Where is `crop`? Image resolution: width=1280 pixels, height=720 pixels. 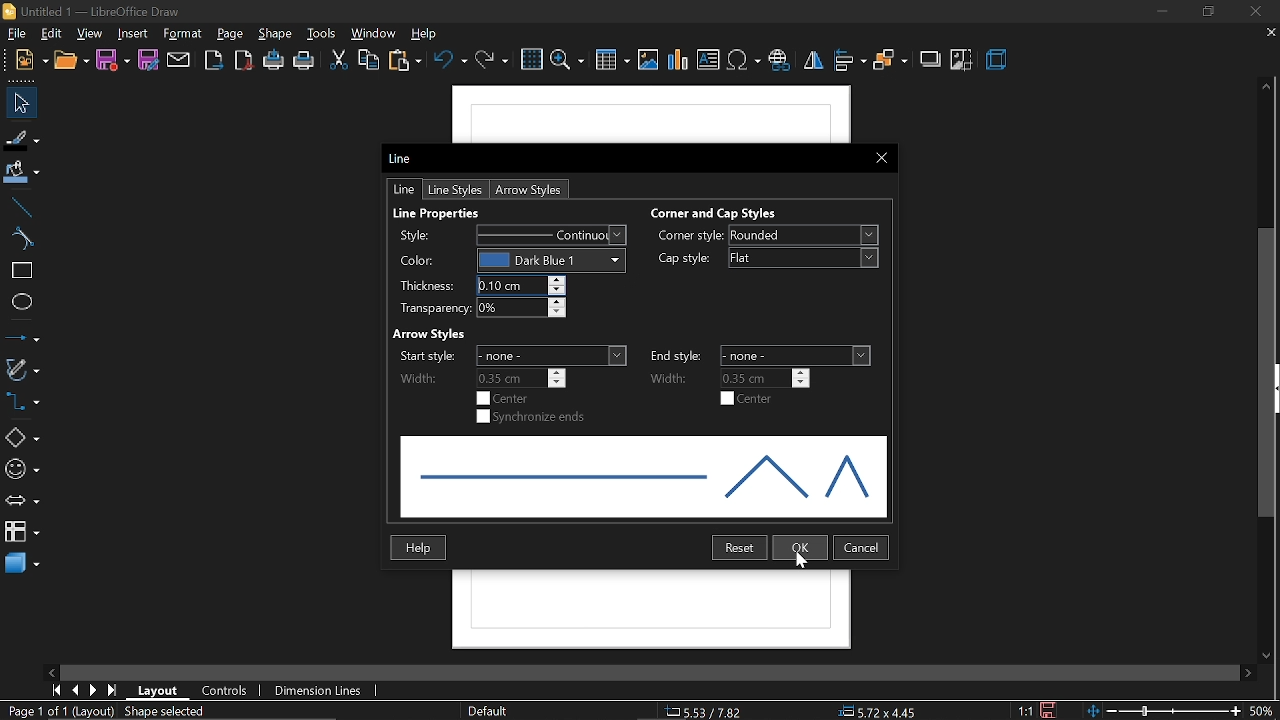
crop is located at coordinates (962, 60).